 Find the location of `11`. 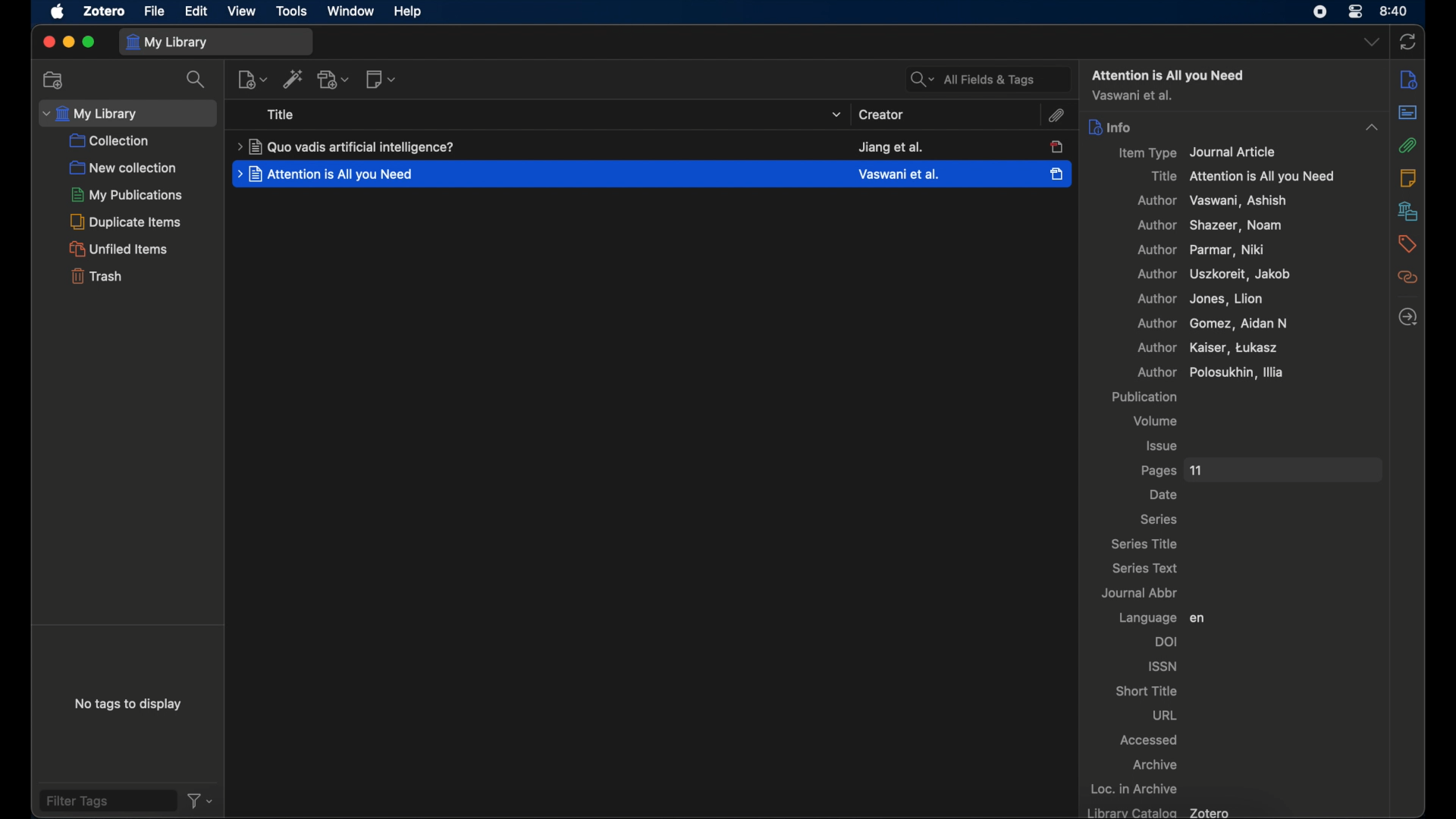

11 is located at coordinates (1197, 470).